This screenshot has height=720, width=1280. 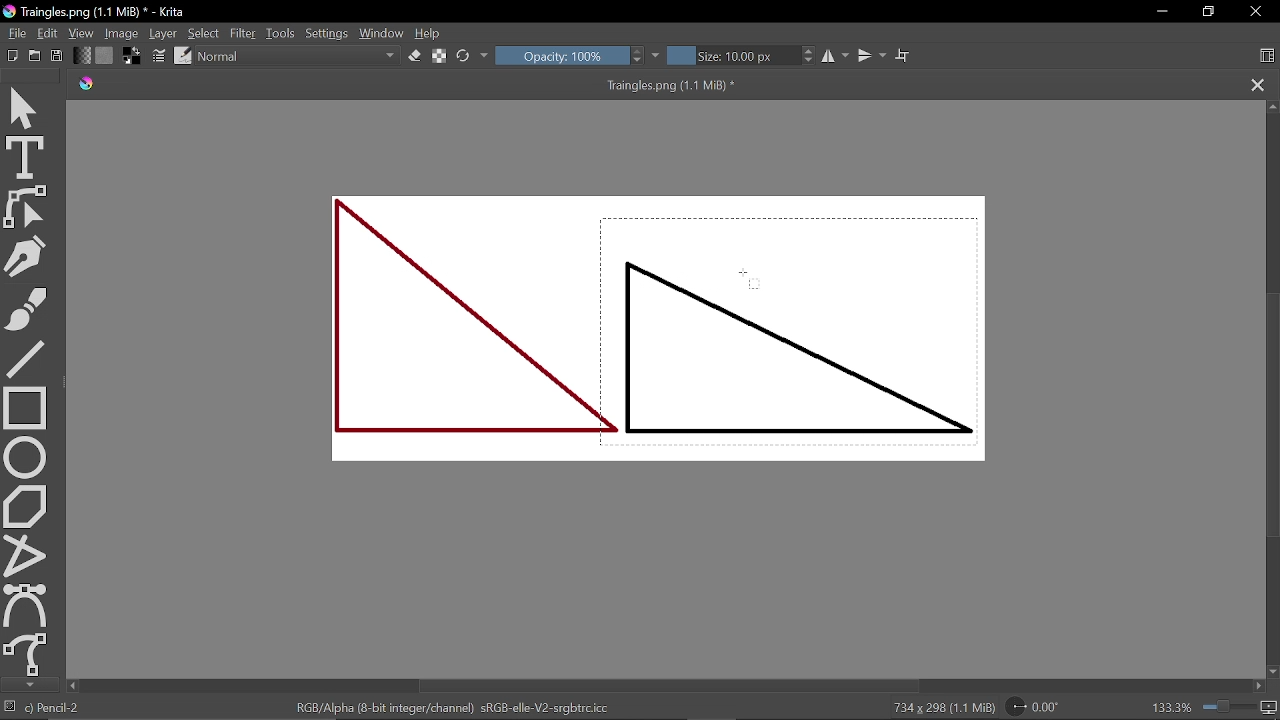 I want to click on Traingles.png (1.1 MiB) *, so click(x=424, y=86).